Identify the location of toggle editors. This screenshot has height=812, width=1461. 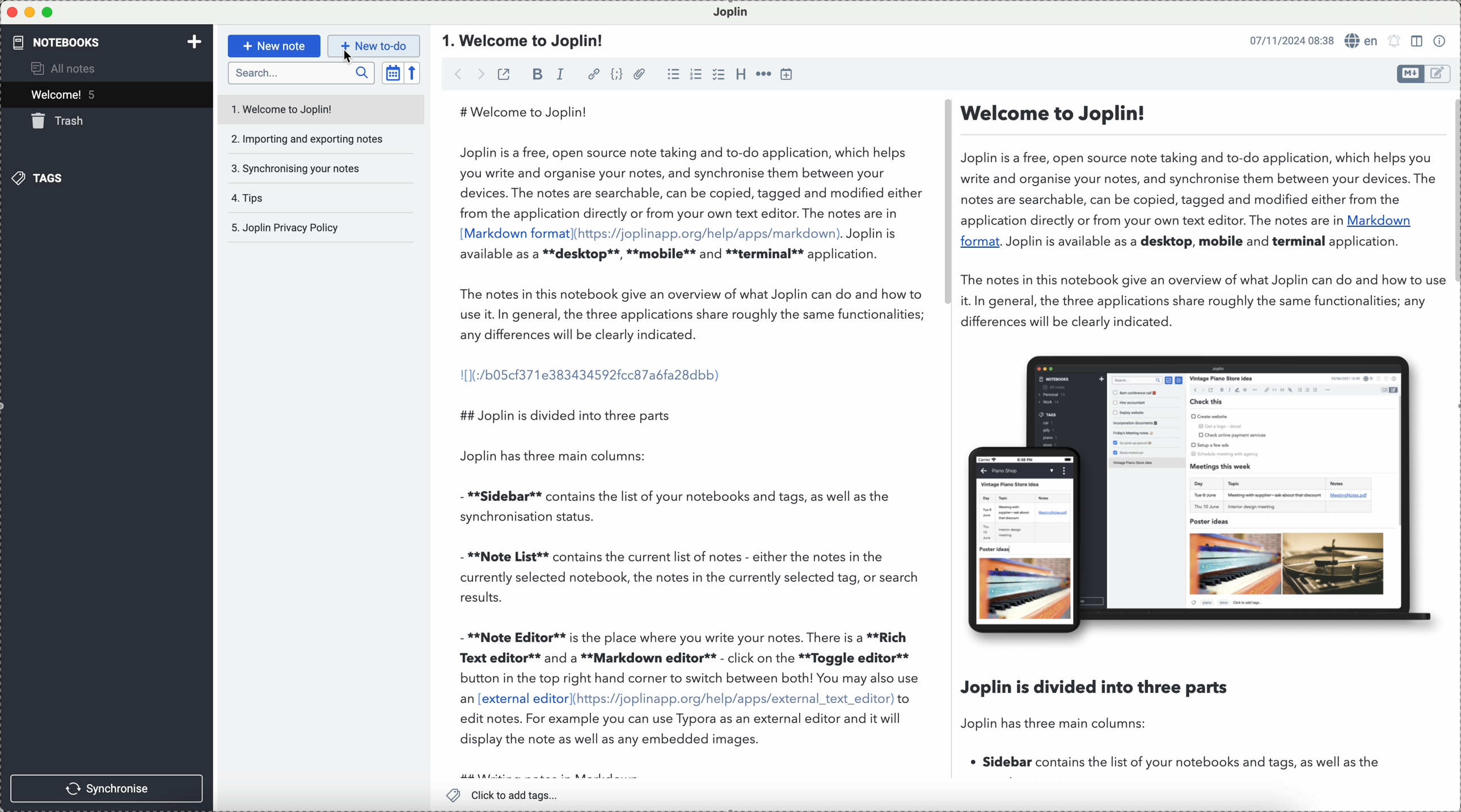
(1439, 74).